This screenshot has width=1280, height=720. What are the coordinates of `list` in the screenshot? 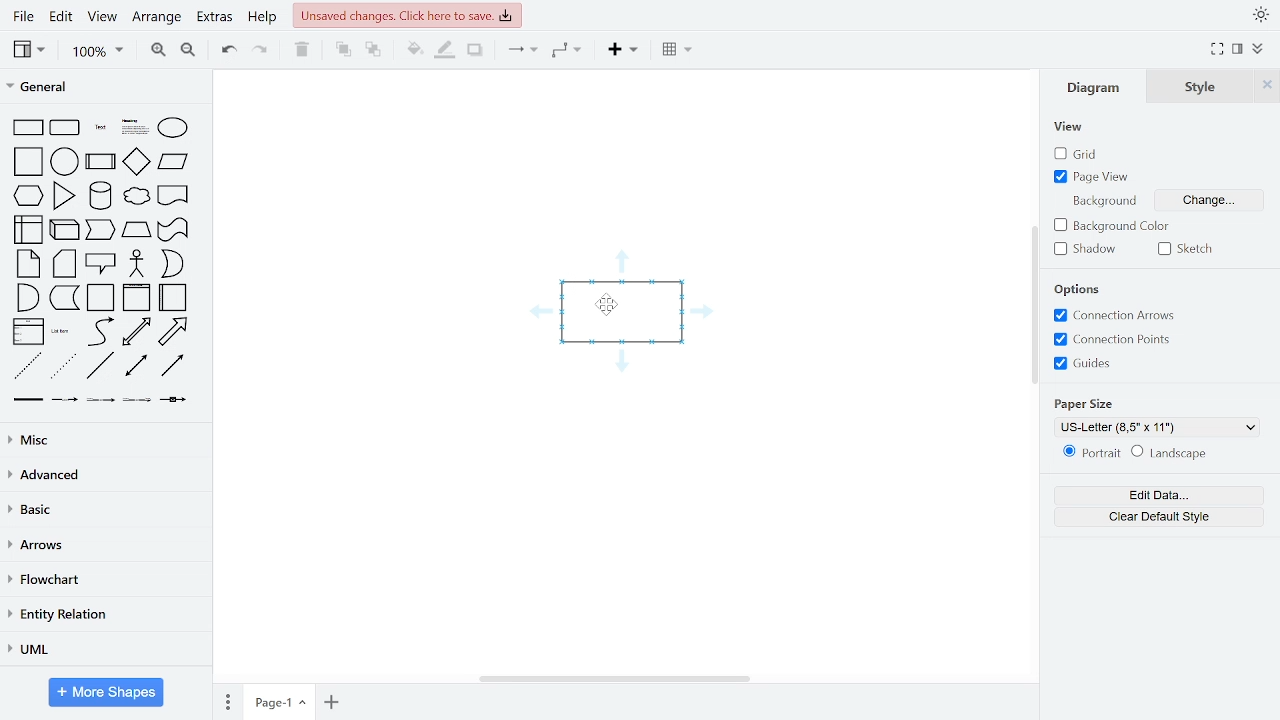 It's located at (27, 333).